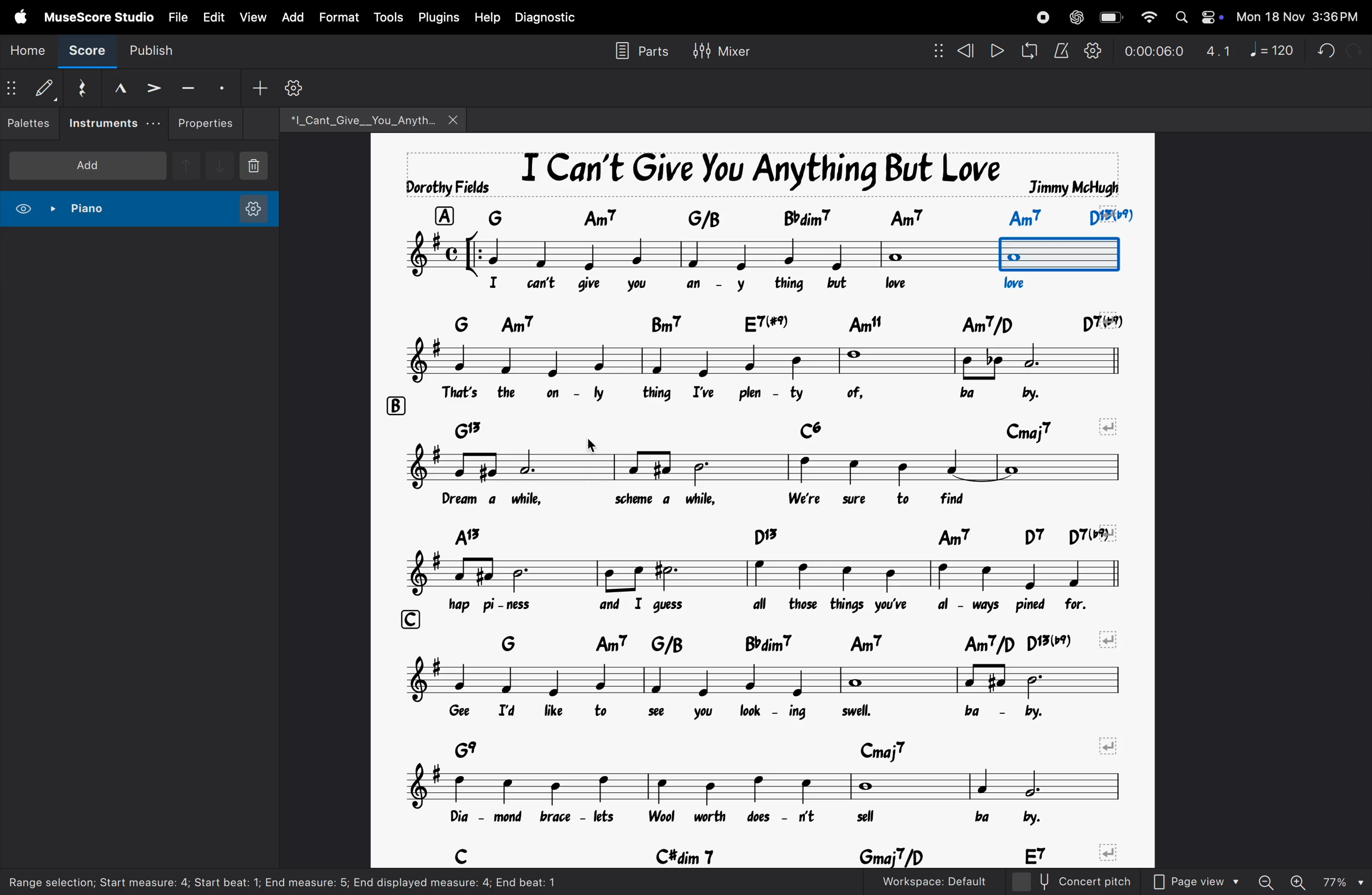 The width and height of the screenshot is (1372, 895). Describe the element at coordinates (768, 574) in the screenshot. I see `notes` at that location.